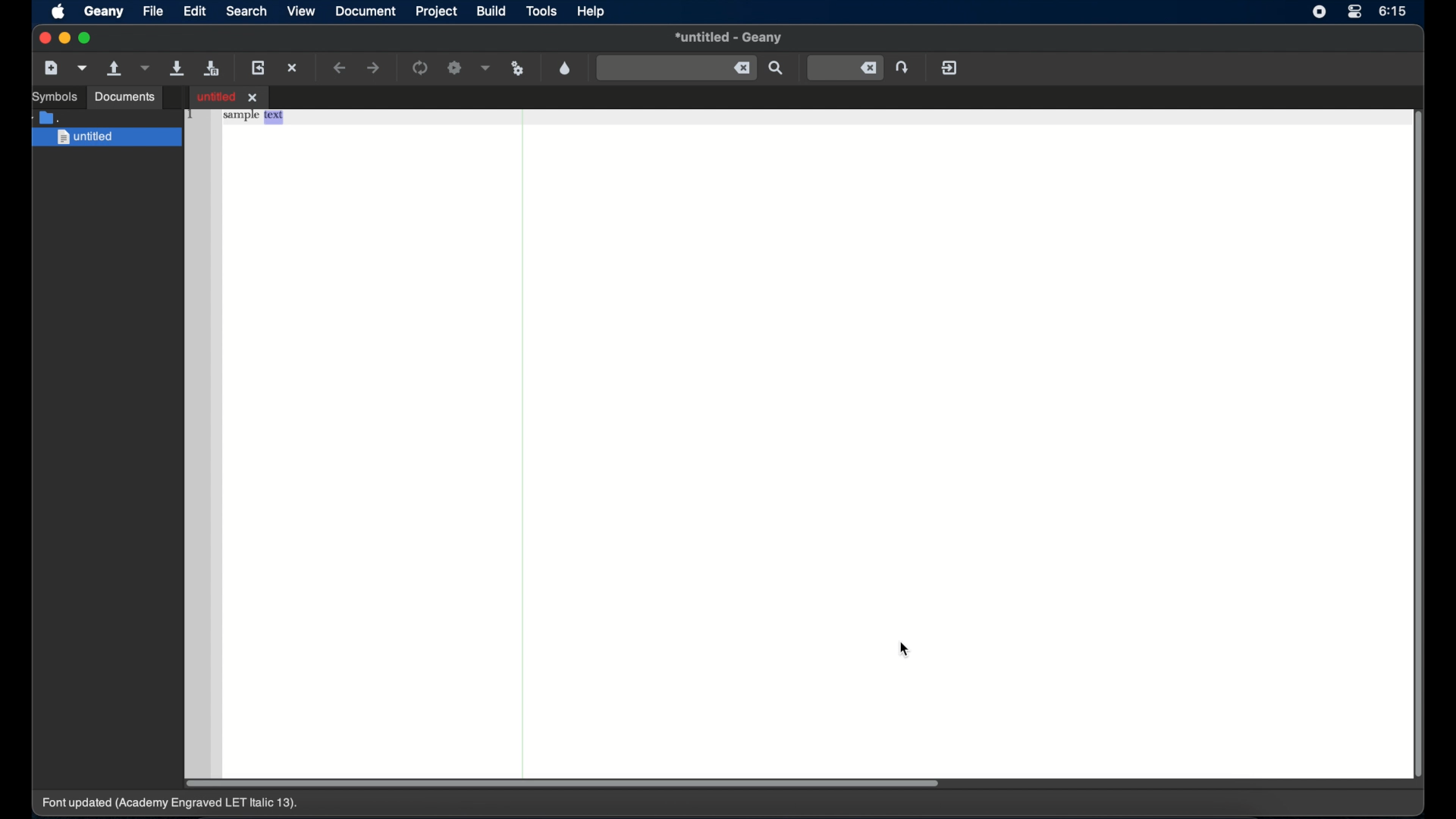 The height and width of the screenshot is (819, 1456). What do you see at coordinates (115, 69) in the screenshot?
I see `open an existing file` at bounding box center [115, 69].